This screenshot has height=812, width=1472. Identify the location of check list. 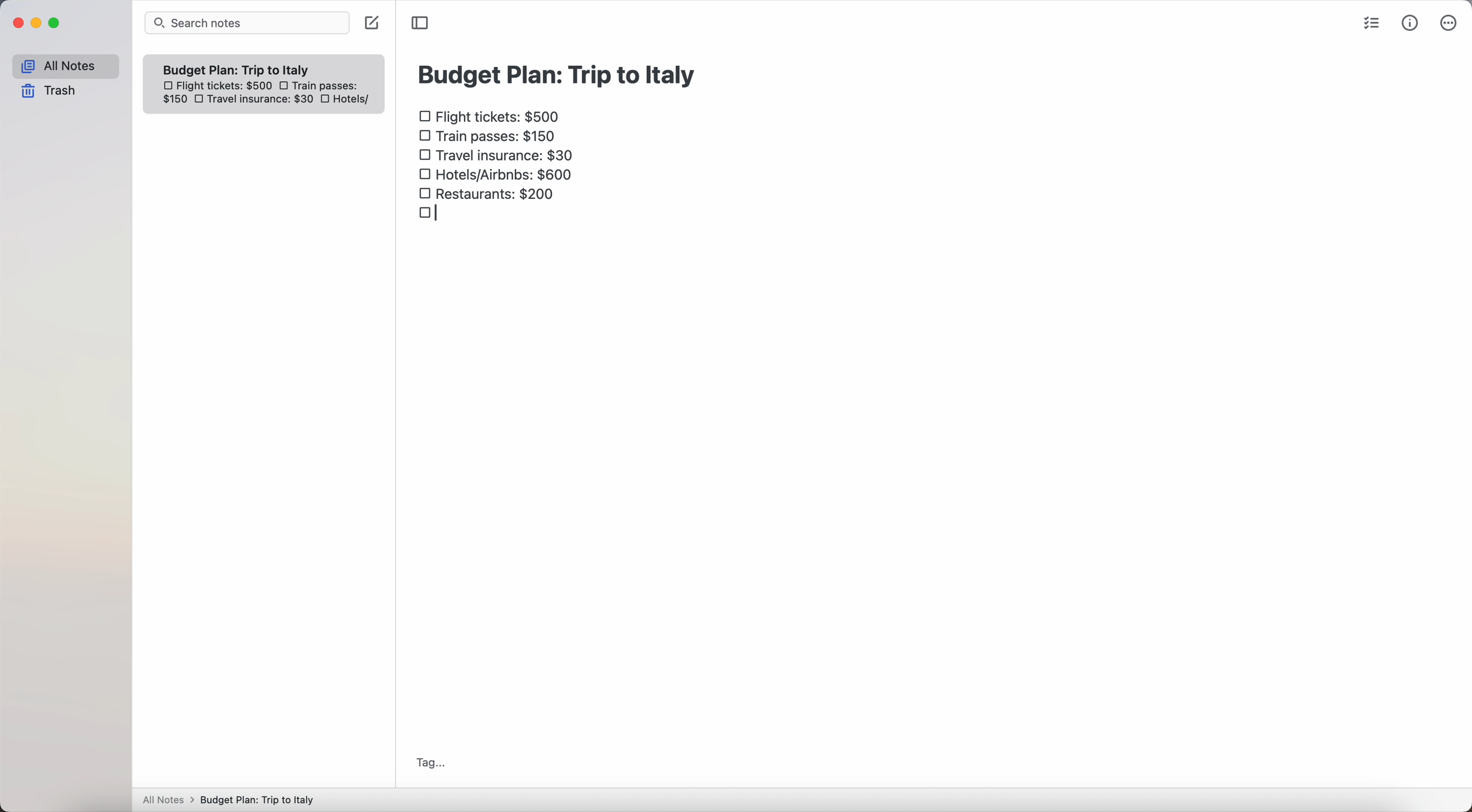
(1375, 25).